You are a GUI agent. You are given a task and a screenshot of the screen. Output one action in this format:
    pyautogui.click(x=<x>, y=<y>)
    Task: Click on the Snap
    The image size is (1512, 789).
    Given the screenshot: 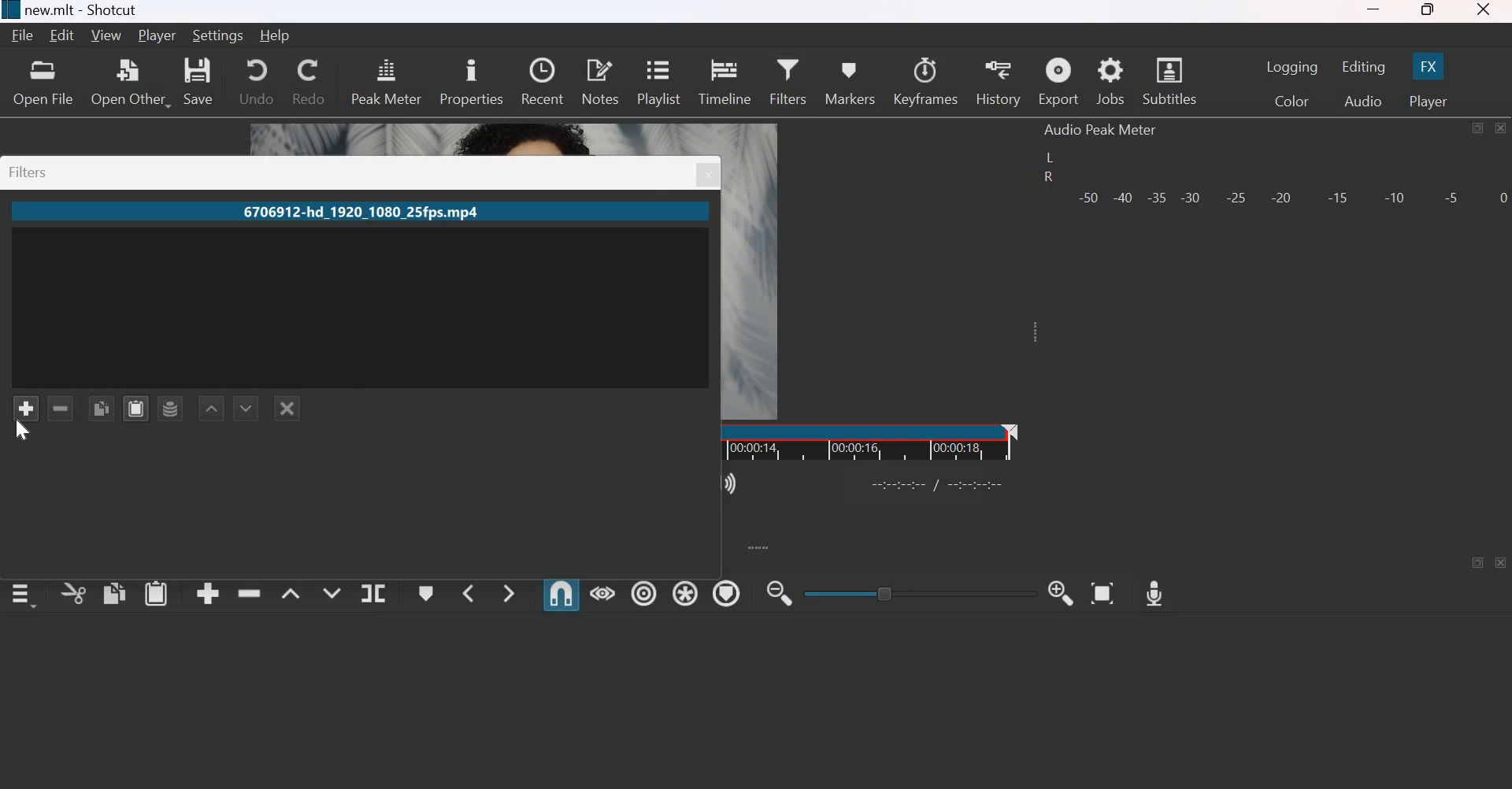 What is the action you would take?
    pyautogui.click(x=561, y=594)
    